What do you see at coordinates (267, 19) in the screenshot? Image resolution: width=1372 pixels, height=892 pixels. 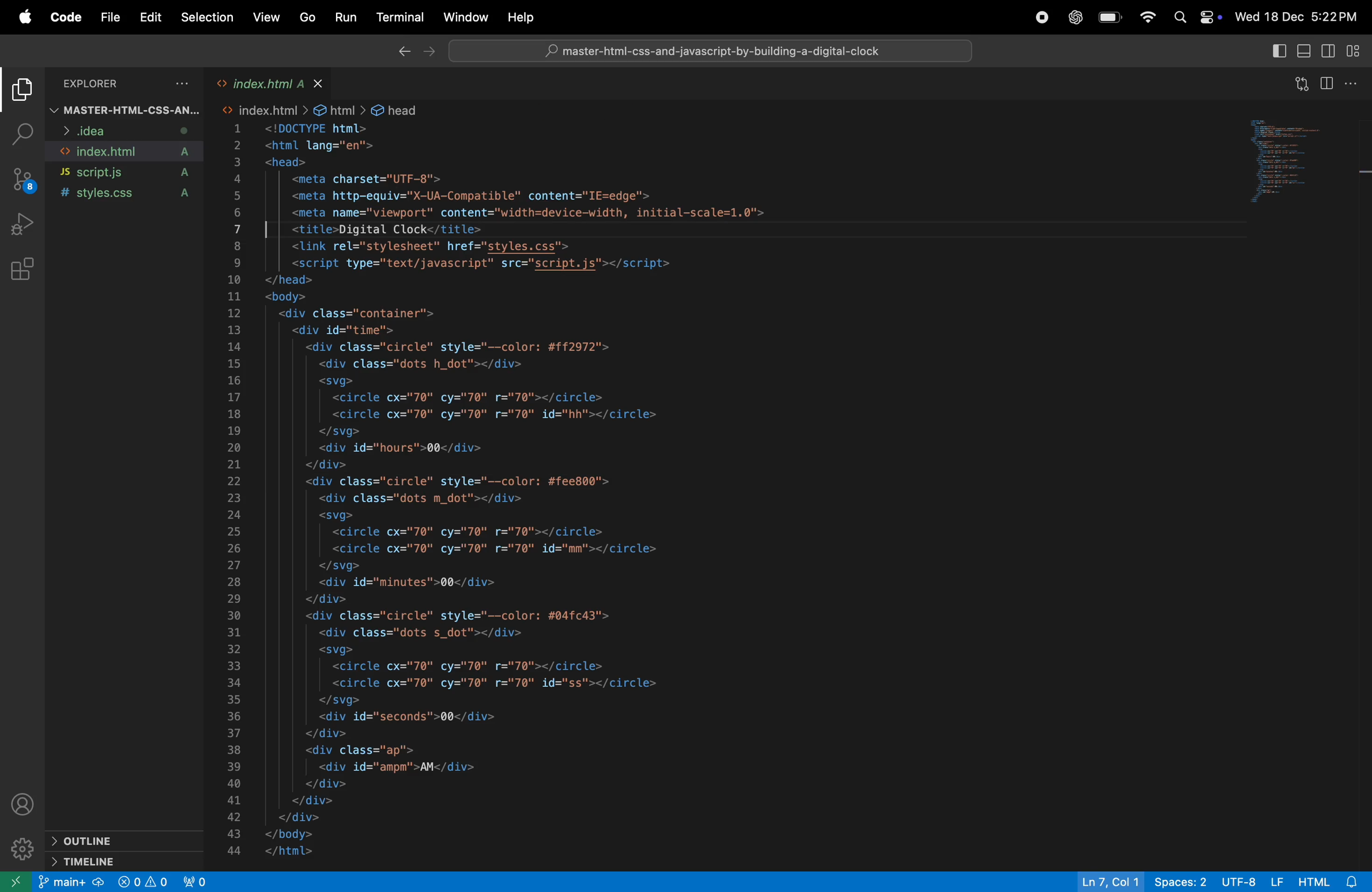 I see `view` at bounding box center [267, 19].